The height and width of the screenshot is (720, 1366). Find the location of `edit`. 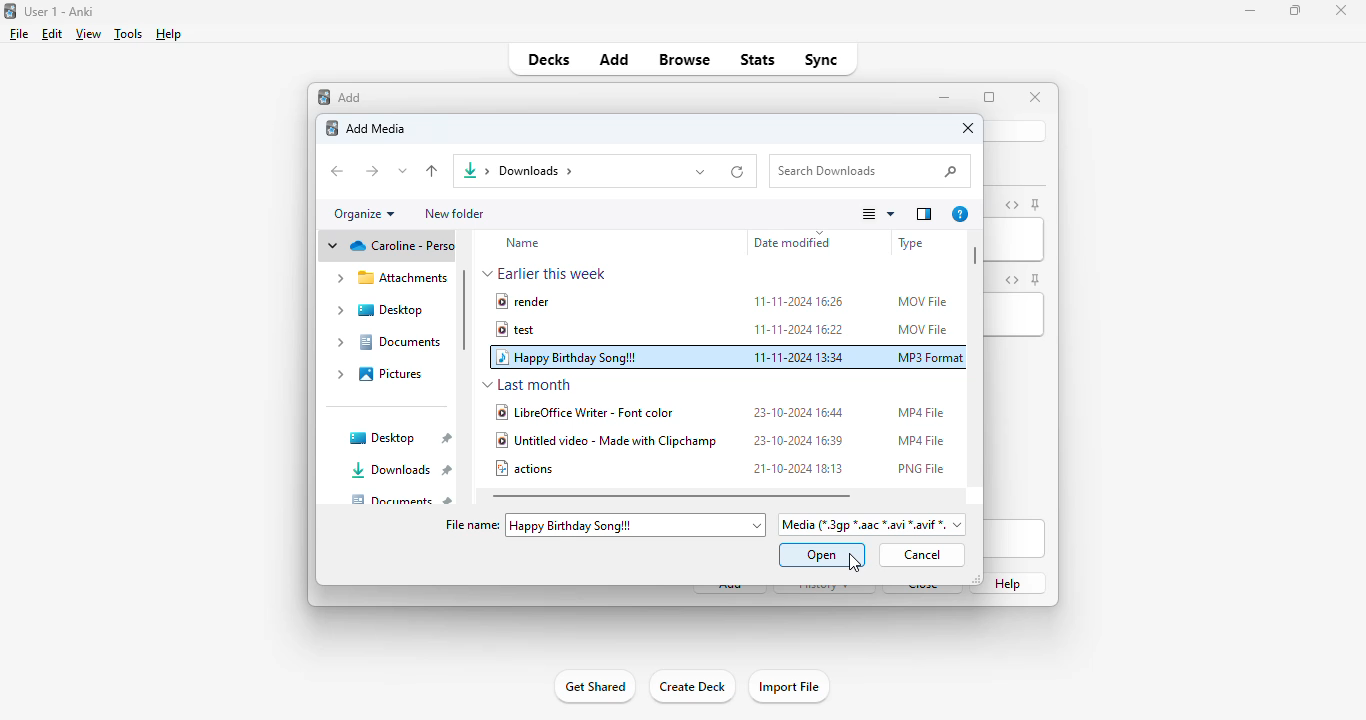

edit is located at coordinates (53, 33).